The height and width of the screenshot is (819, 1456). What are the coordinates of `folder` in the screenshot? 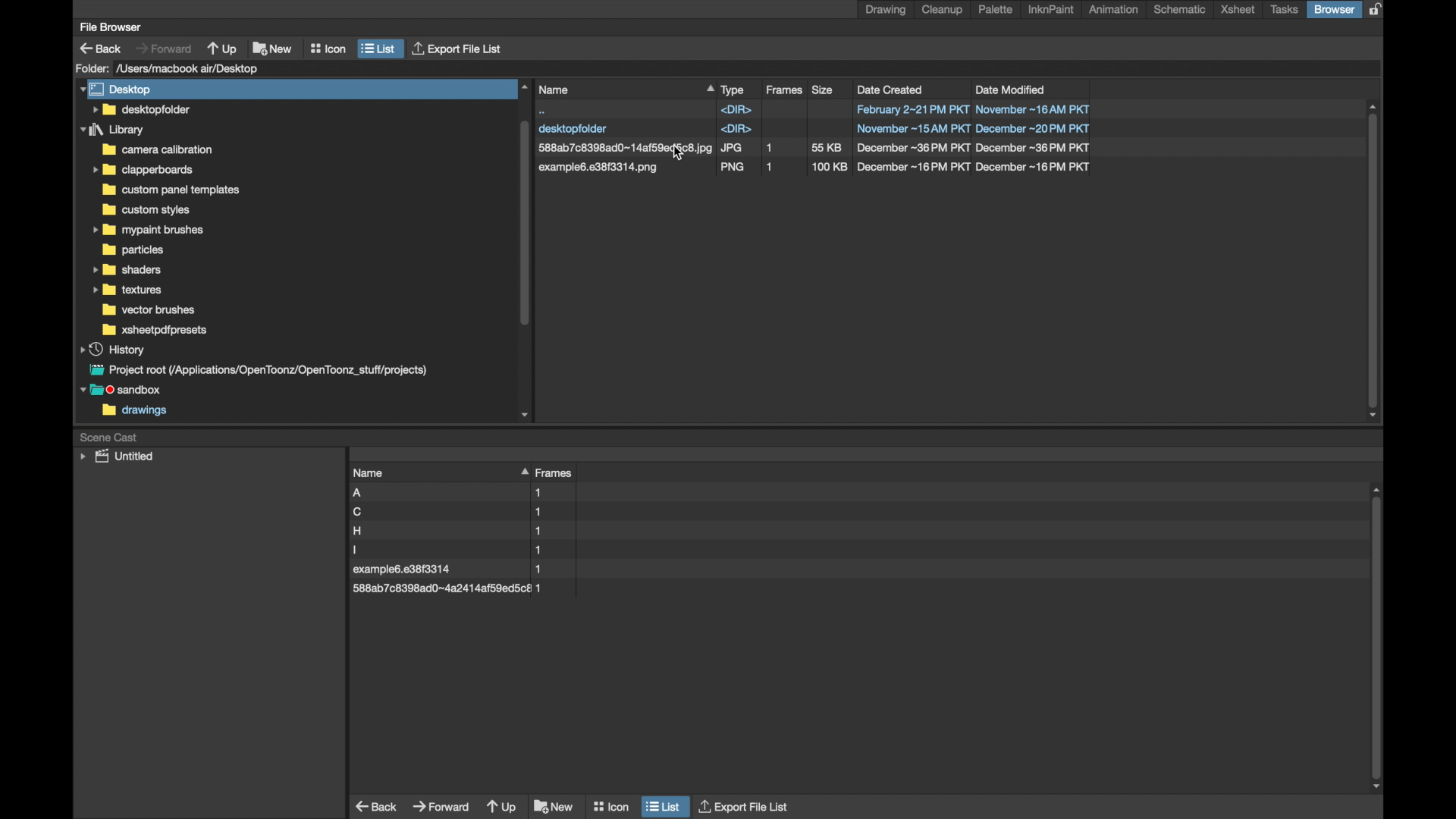 It's located at (146, 231).